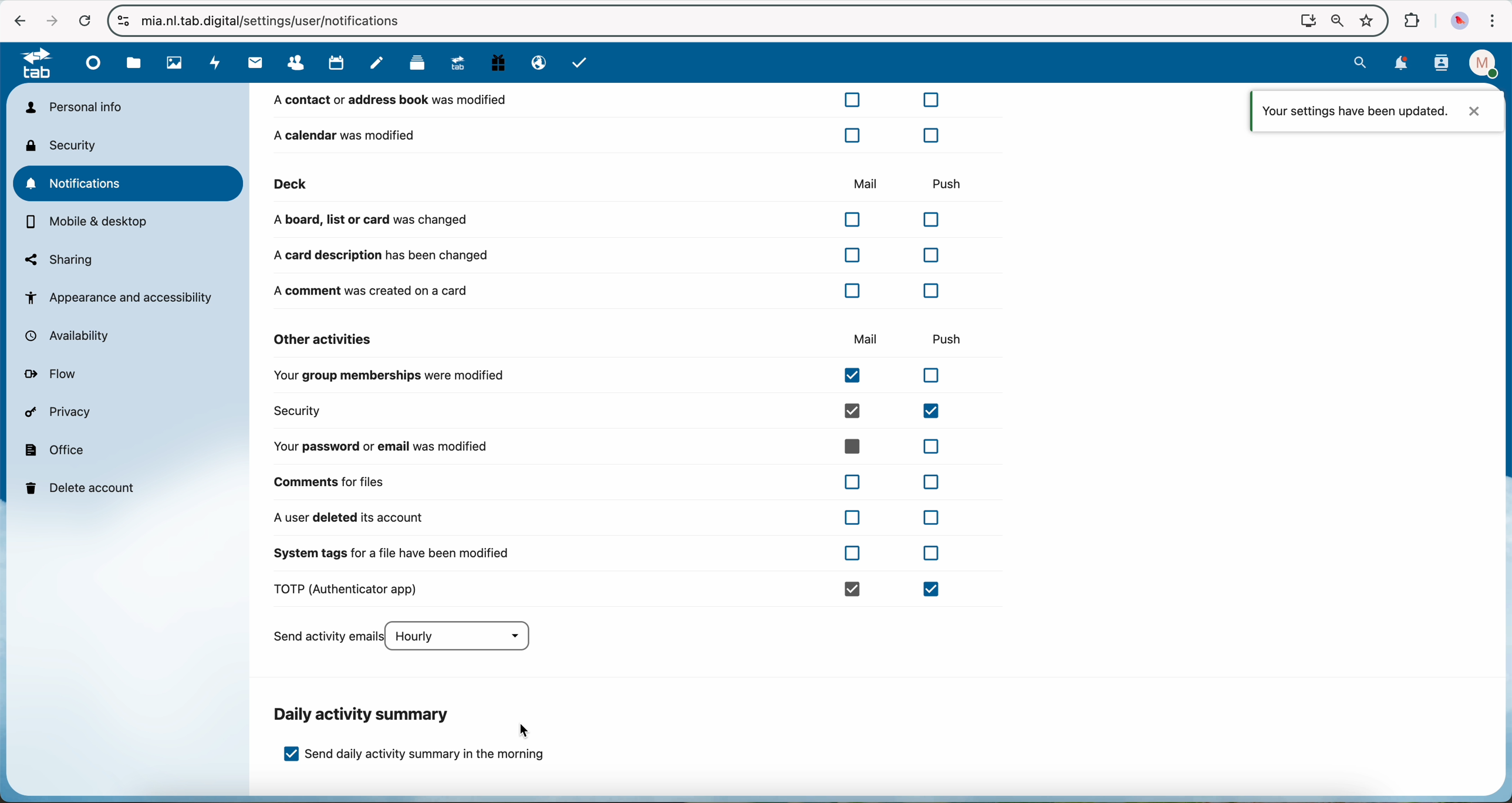 The width and height of the screenshot is (1512, 803). What do you see at coordinates (1305, 20) in the screenshot?
I see `Install NExtcloud` at bounding box center [1305, 20].